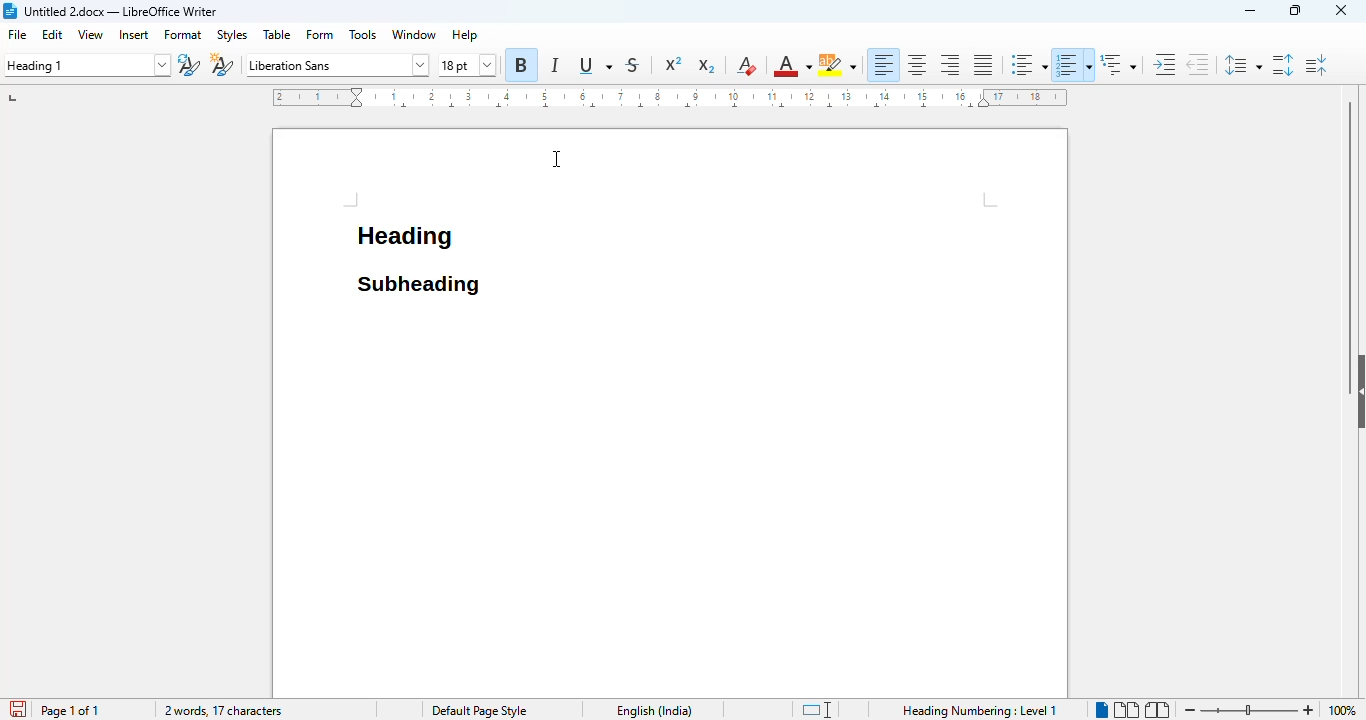  I want to click on standard selection, so click(816, 710).